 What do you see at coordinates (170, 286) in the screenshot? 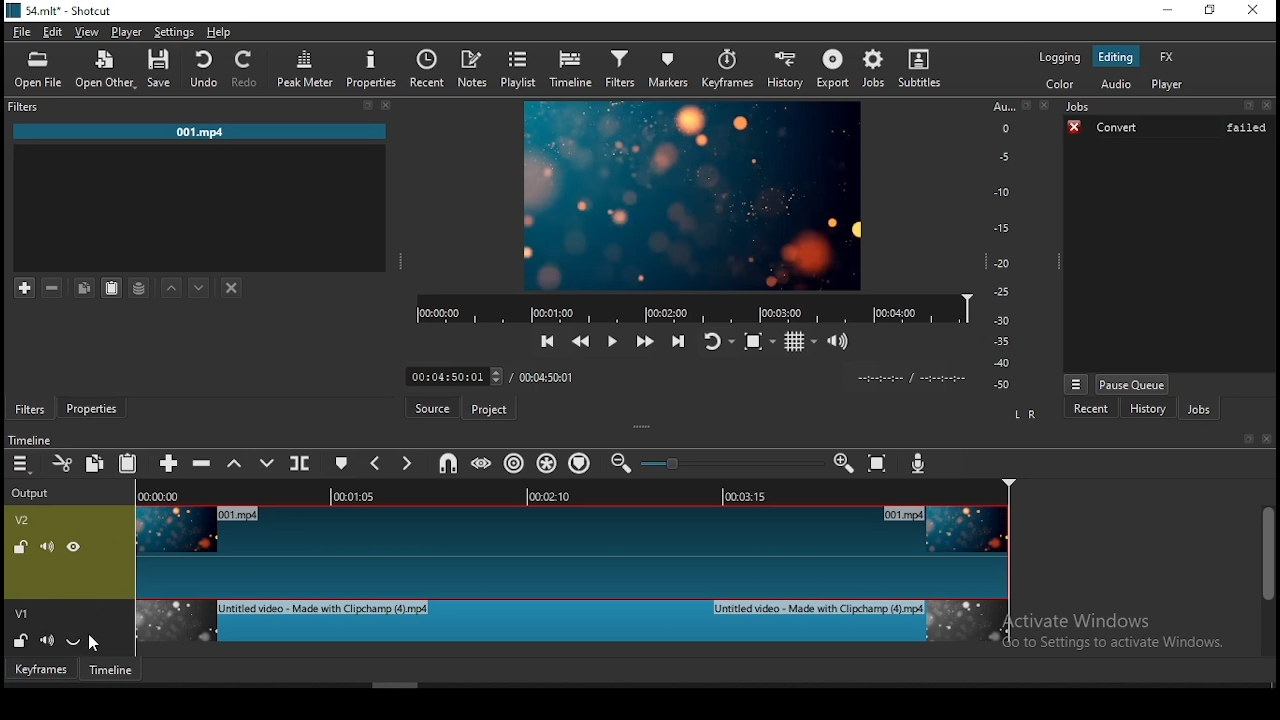
I see `move filter up` at bounding box center [170, 286].